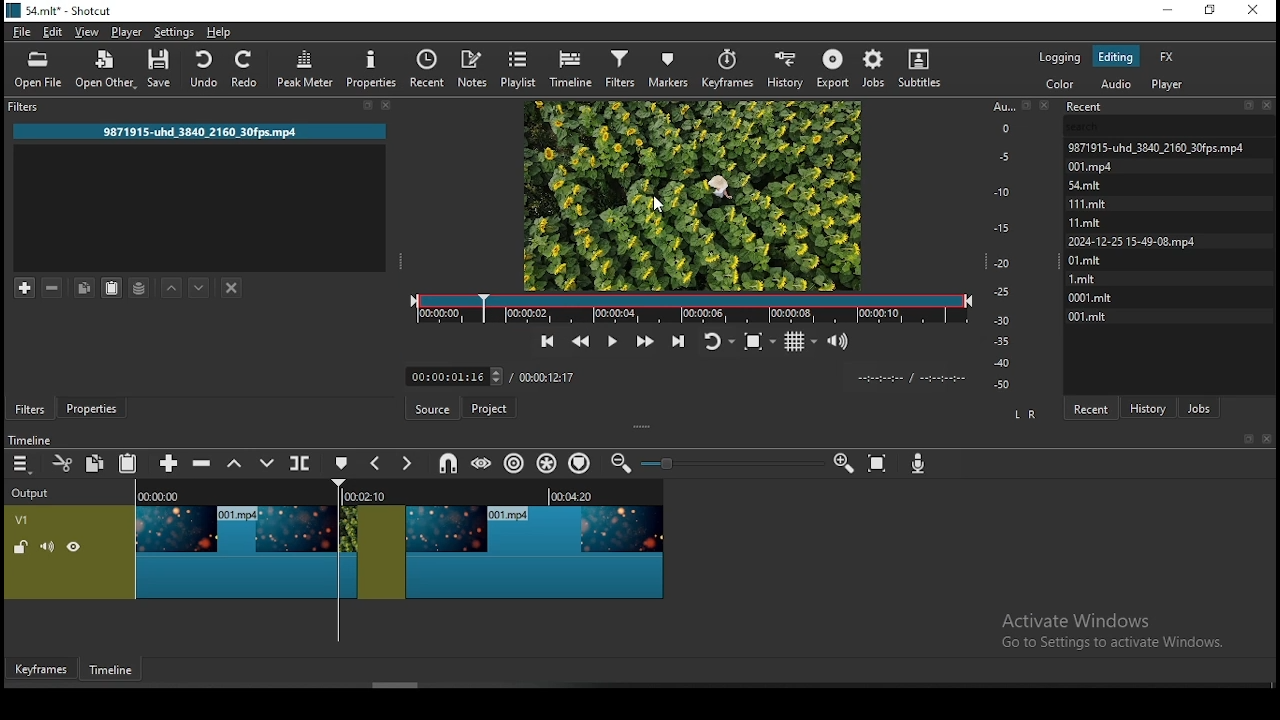 The width and height of the screenshot is (1280, 720). Describe the element at coordinates (209, 133) in the screenshot. I see `9871915-uhd 3840 2160 30fps.mp4` at that location.